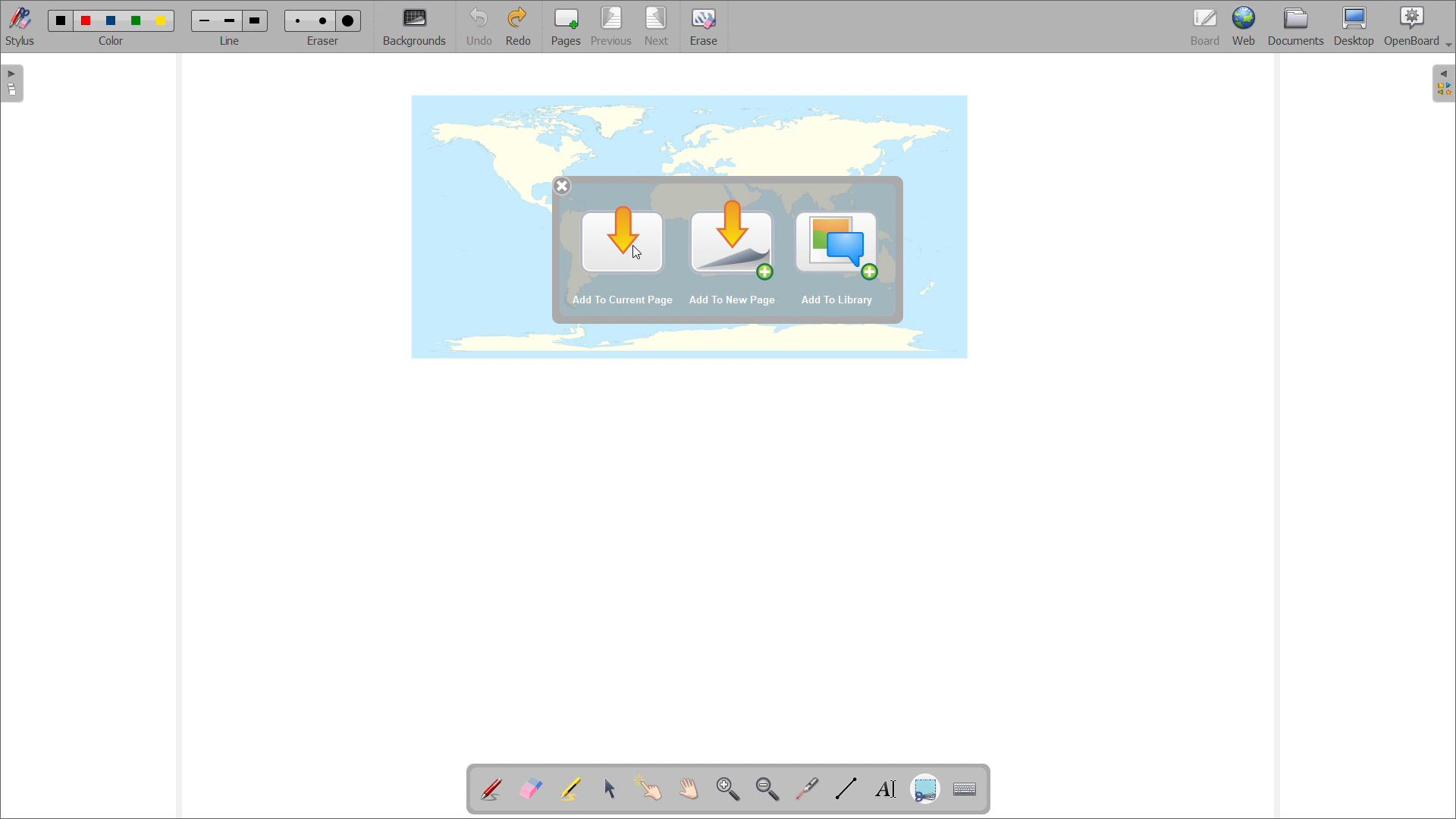 The width and height of the screenshot is (1456, 819). What do you see at coordinates (728, 789) in the screenshot?
I see `zoom in` at bounding box center [728, 789].